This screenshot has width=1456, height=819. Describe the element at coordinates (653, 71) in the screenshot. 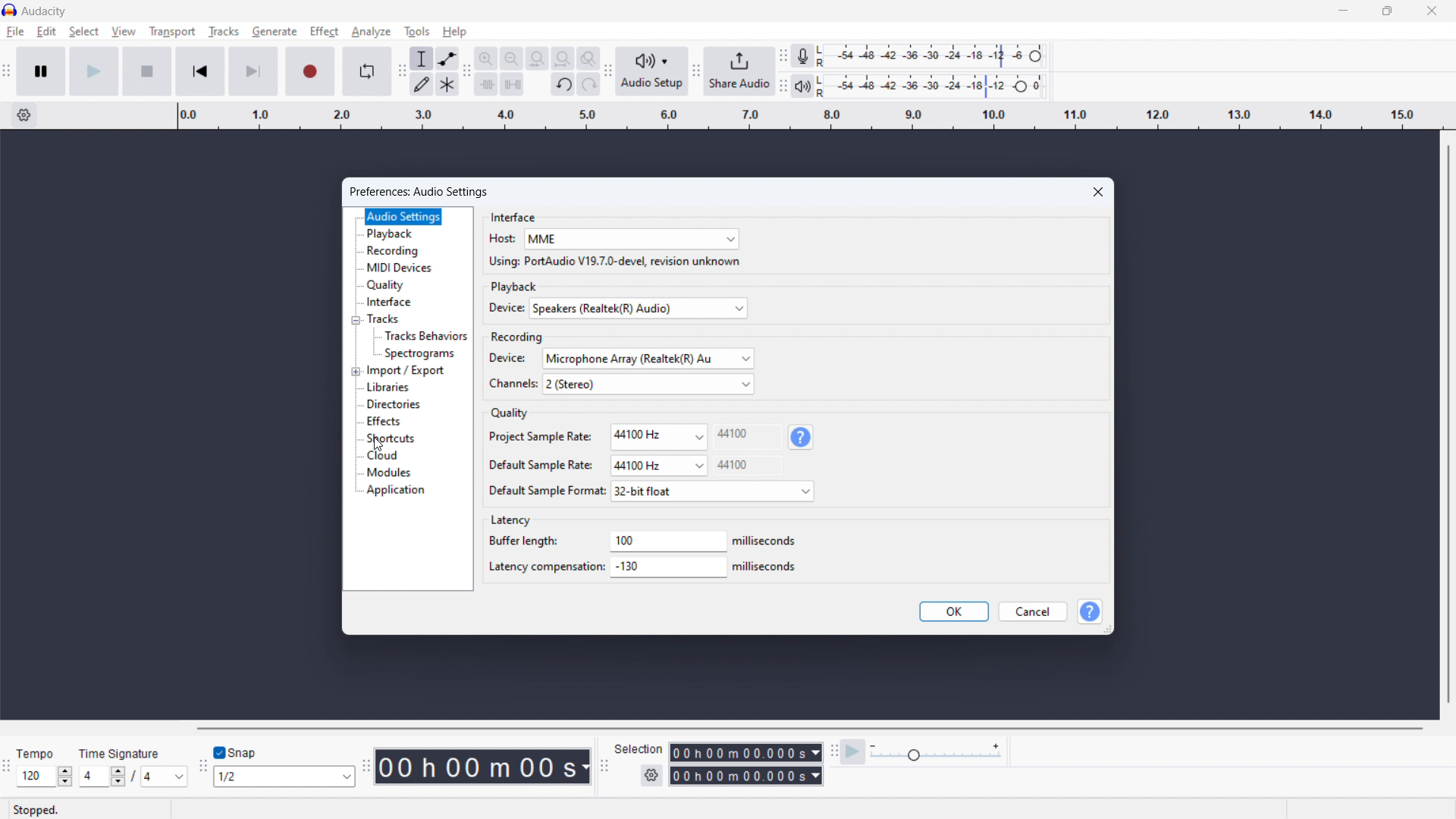

I see `audio setup` at that location.